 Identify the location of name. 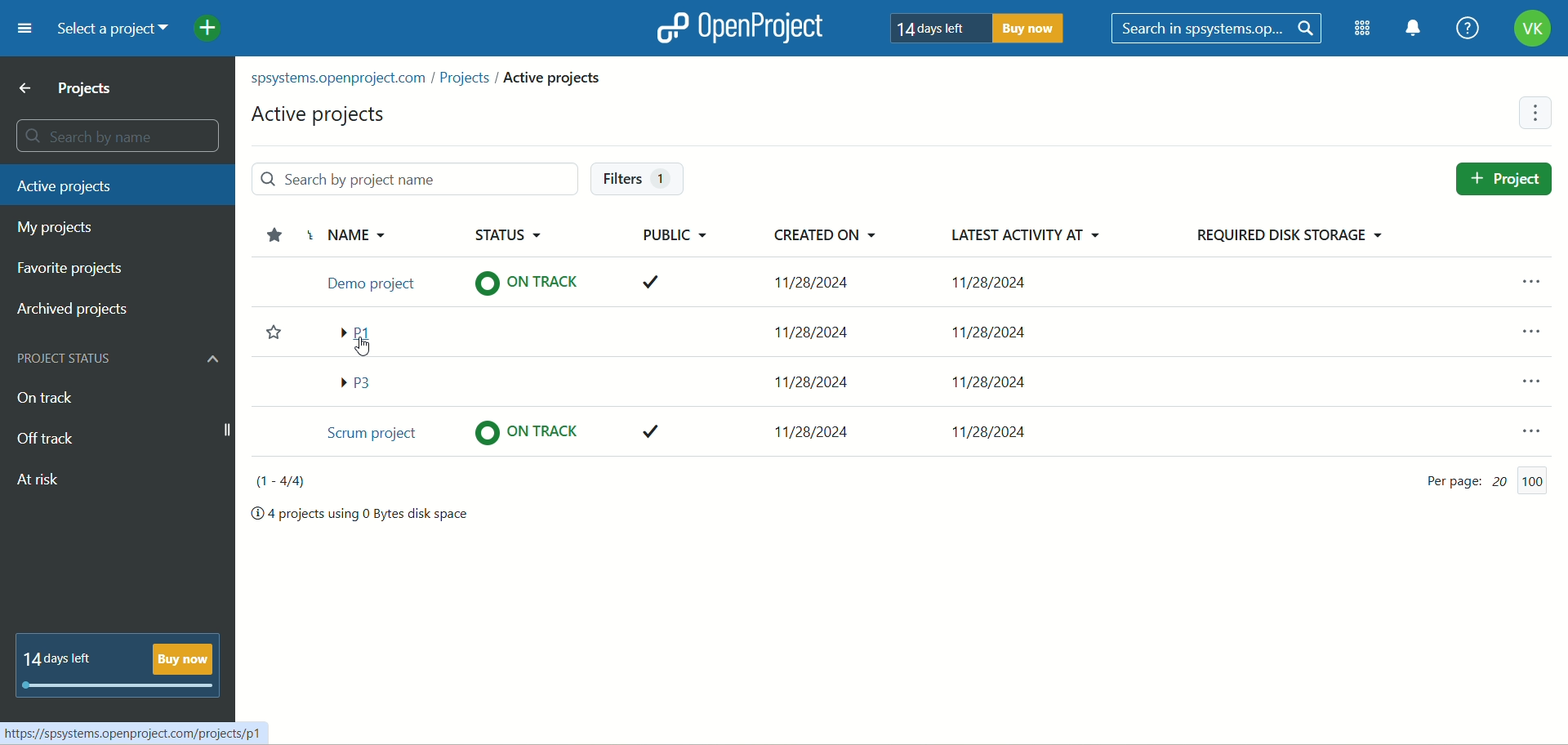
(376, 236).